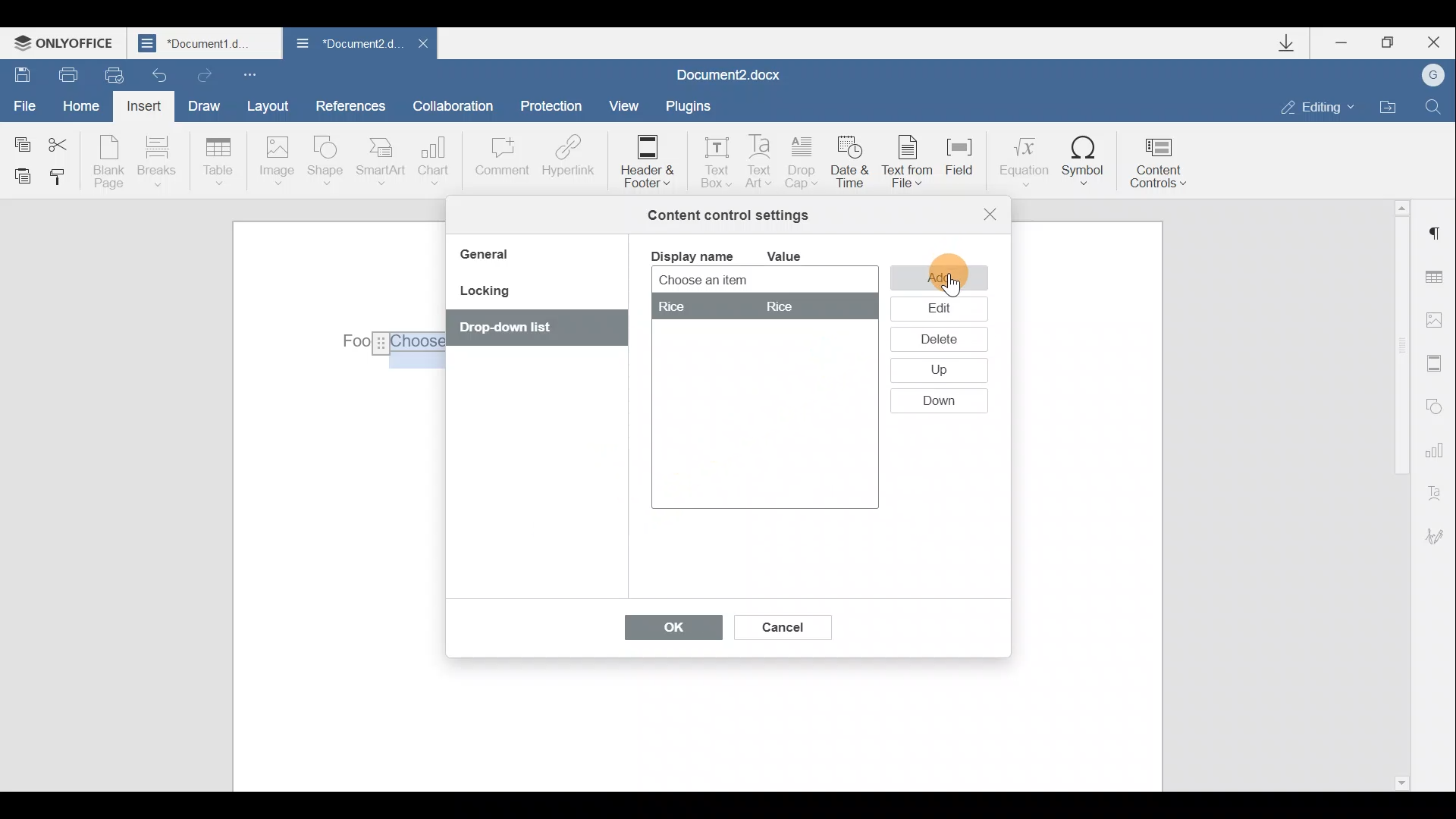  Describe the element at coordinates (1388, 105) in the screenshot. I see `Open file location` at that location.